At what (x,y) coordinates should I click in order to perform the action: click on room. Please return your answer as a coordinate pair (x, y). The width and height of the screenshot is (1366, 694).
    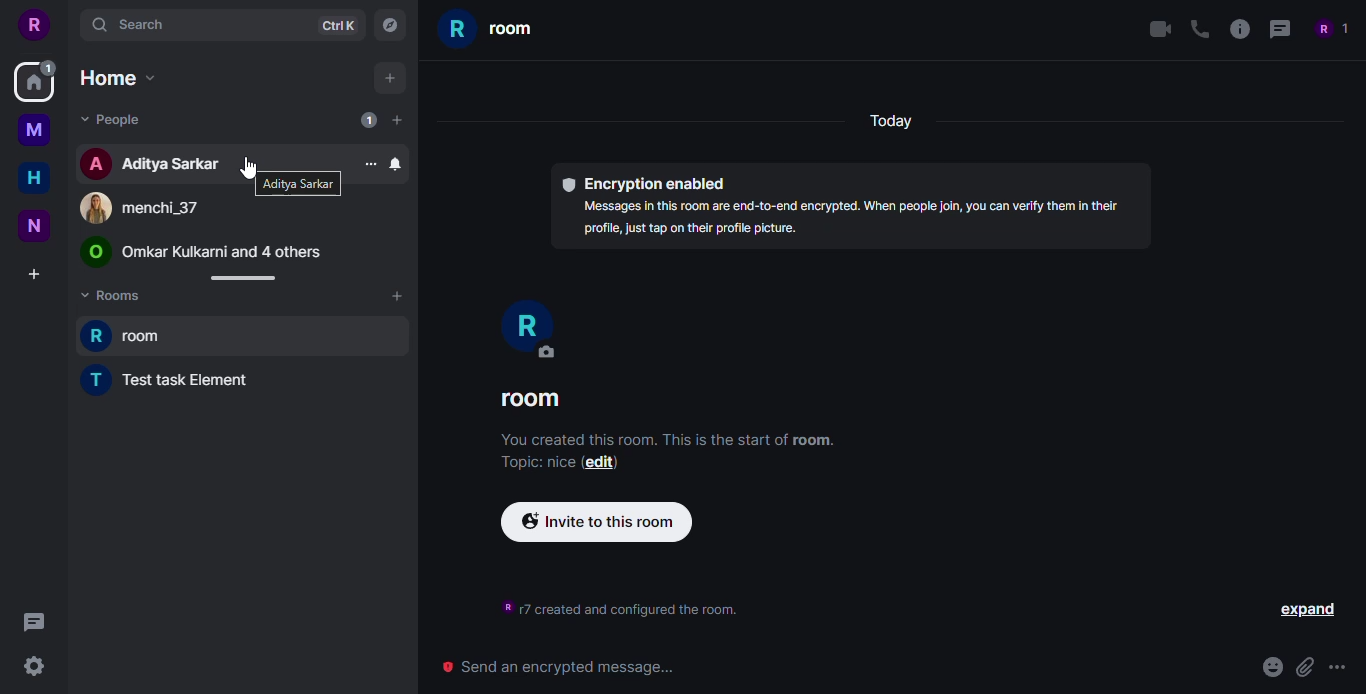
    Looking at the image, I should click on (491, 32).